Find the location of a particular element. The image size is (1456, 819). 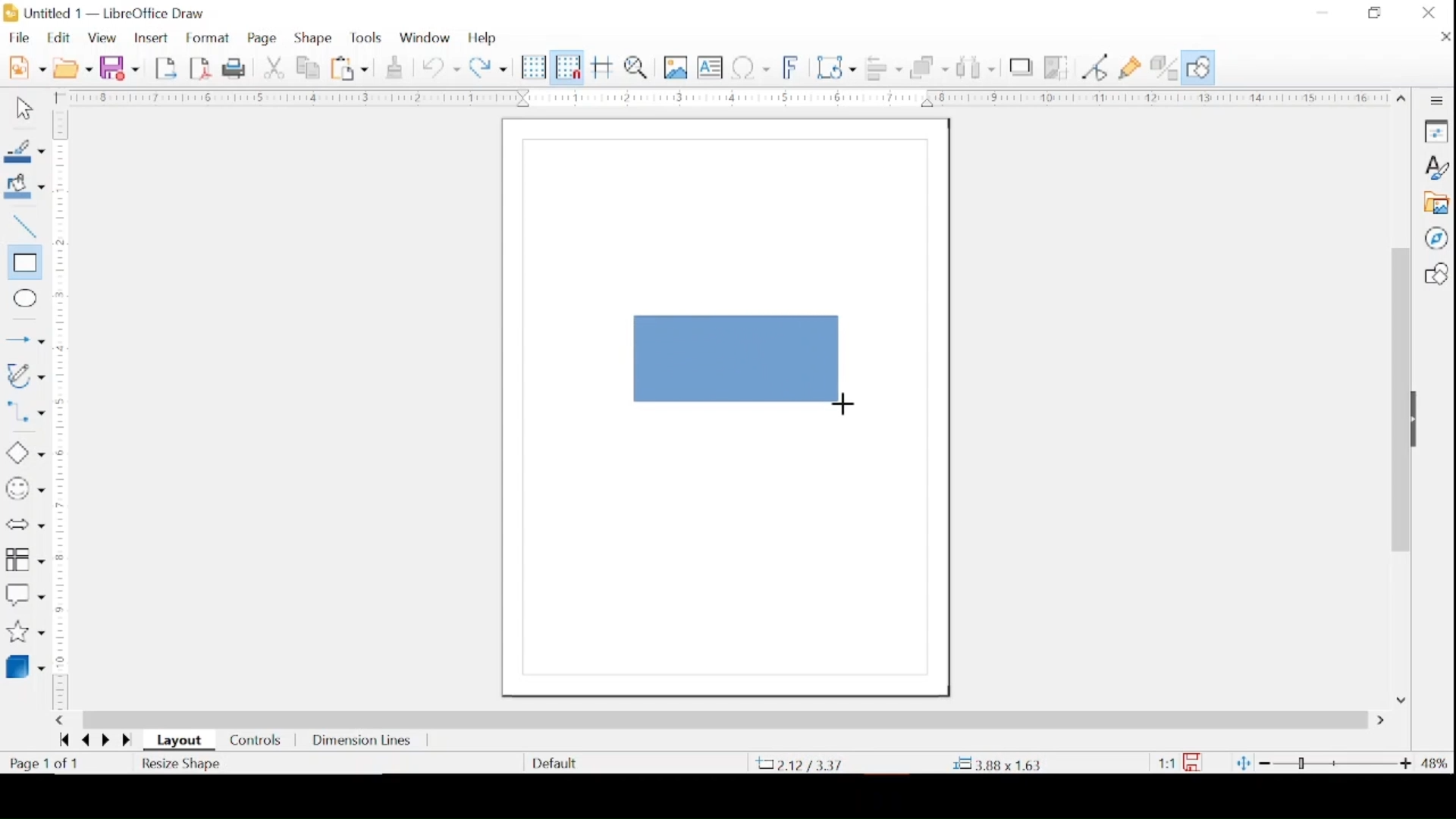

layout is located at coordinates (182, 741).